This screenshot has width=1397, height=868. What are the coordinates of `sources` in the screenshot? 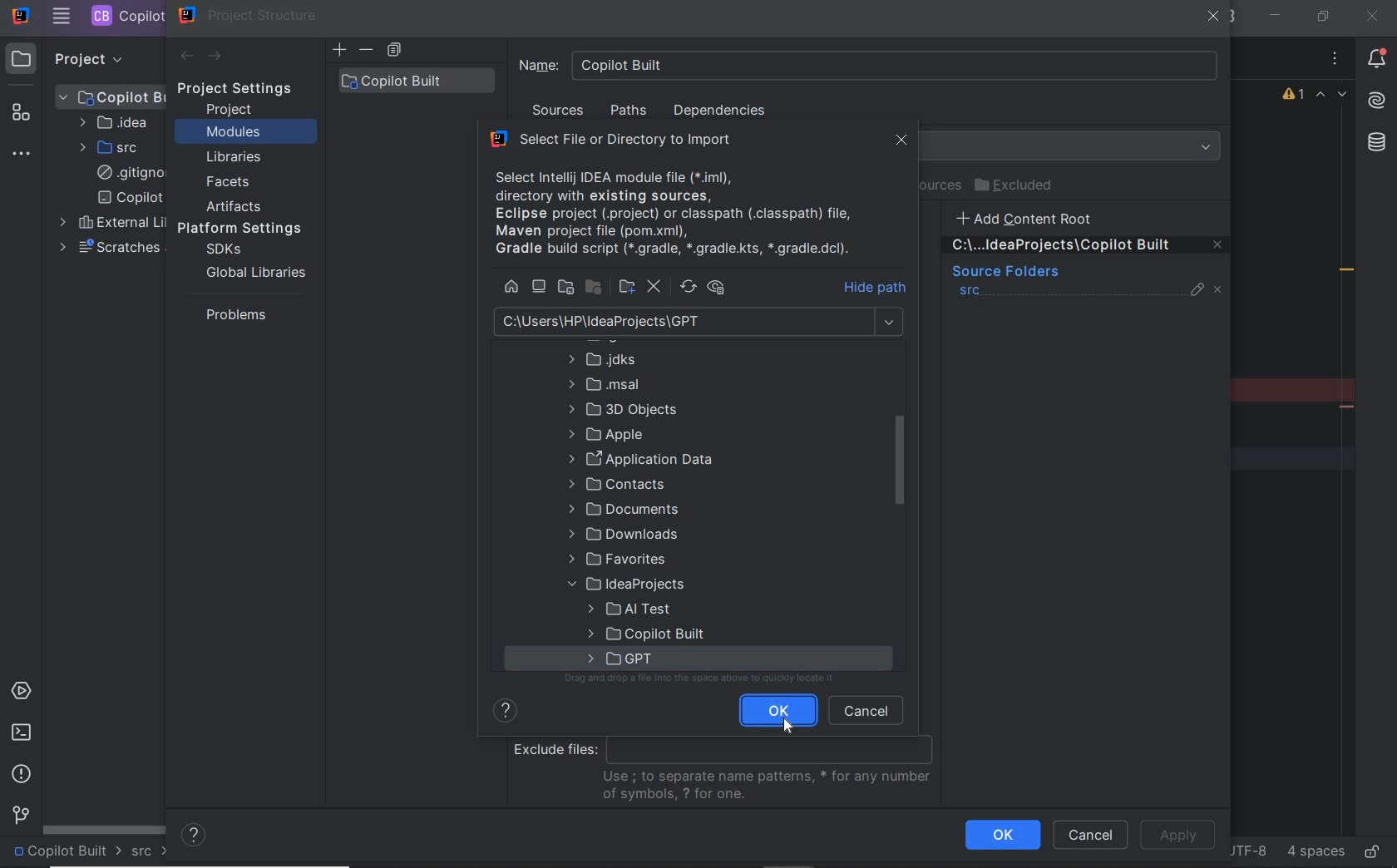 It's located at (560, 113).